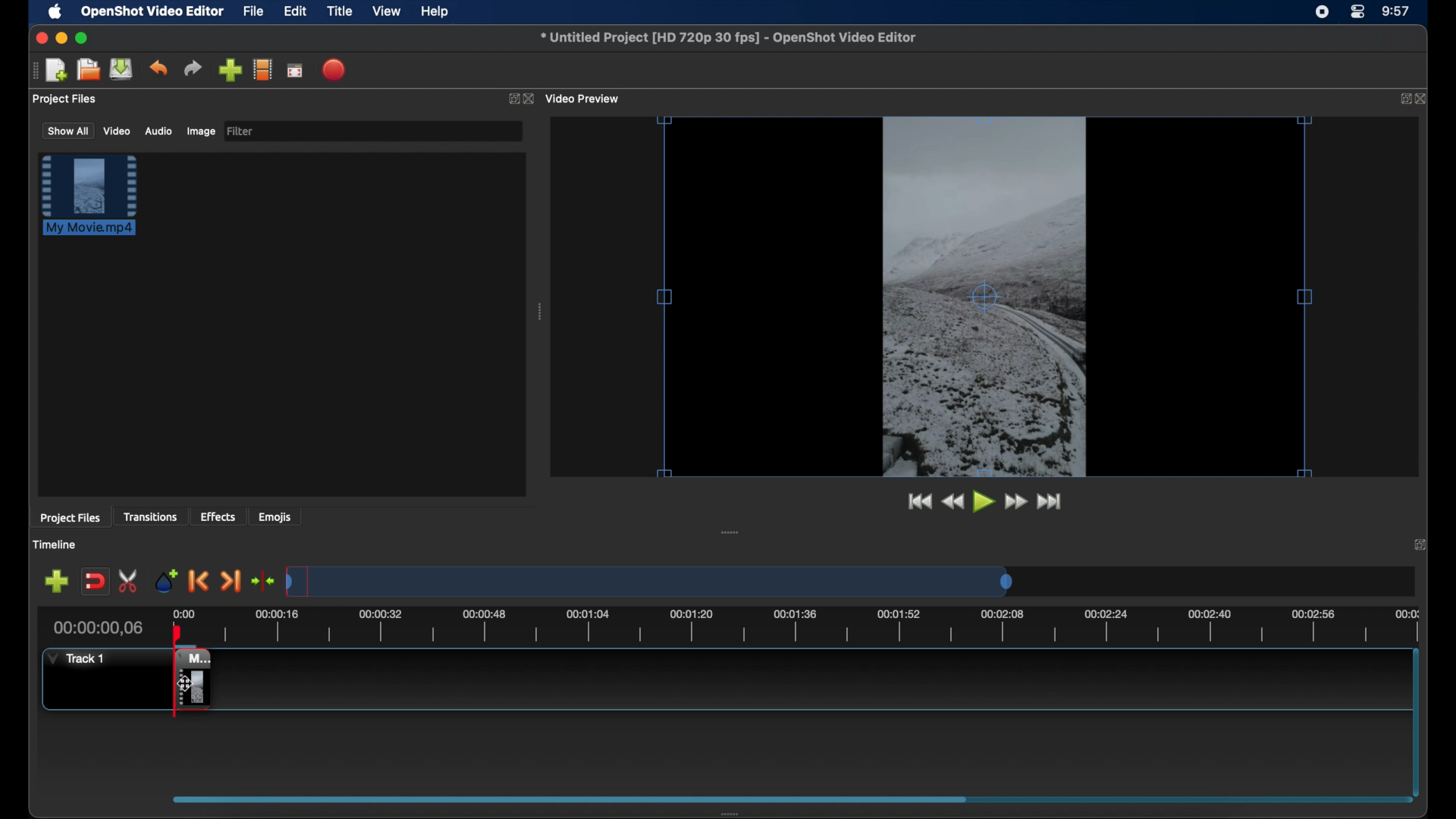 This screenshot has width=1456, height=819. I want to click on expand, so click(511, 99).